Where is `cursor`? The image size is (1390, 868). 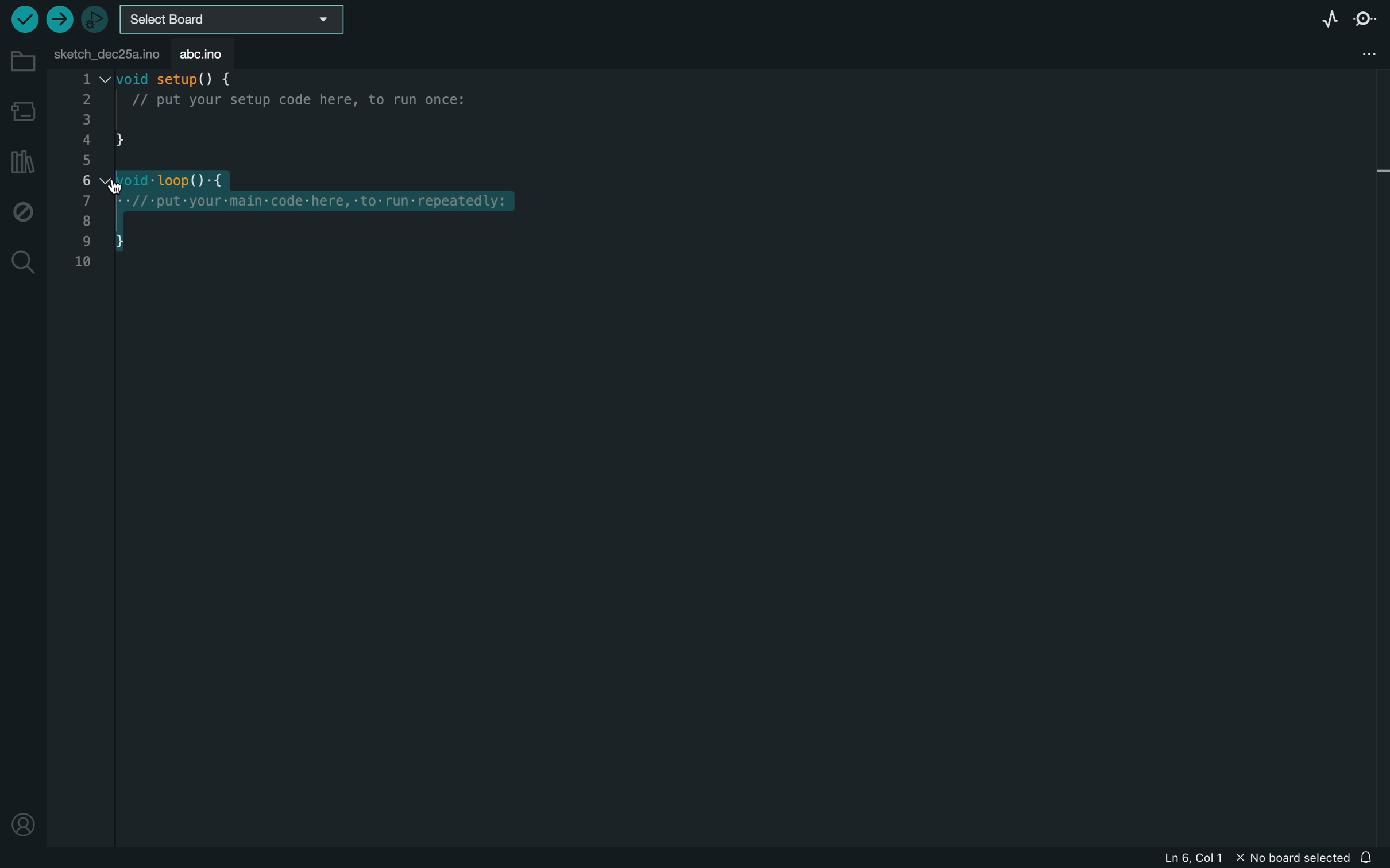
cursor is located at coordinates (137, 181).